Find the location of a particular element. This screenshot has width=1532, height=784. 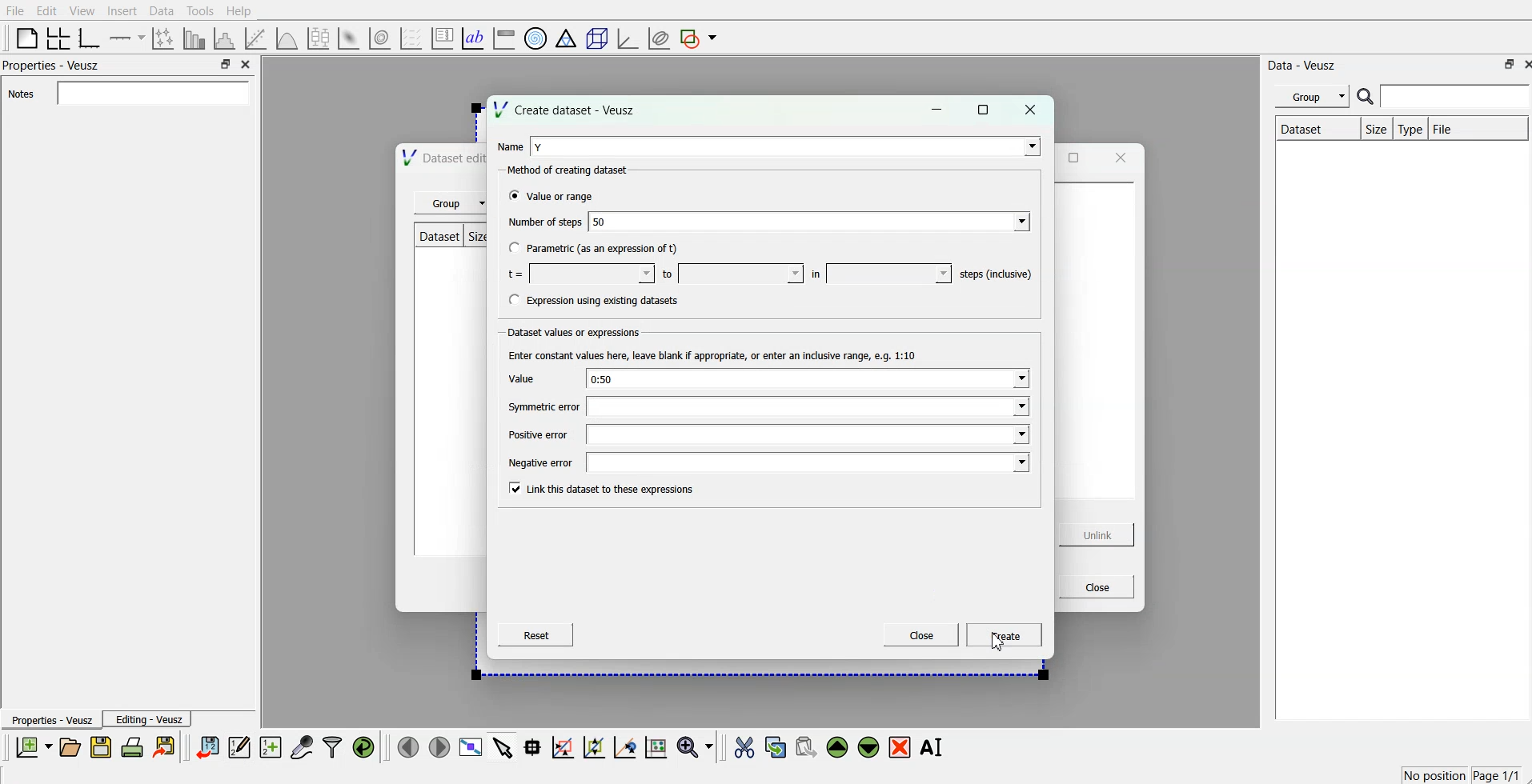

Negative error is located at coordinates (543, 462).